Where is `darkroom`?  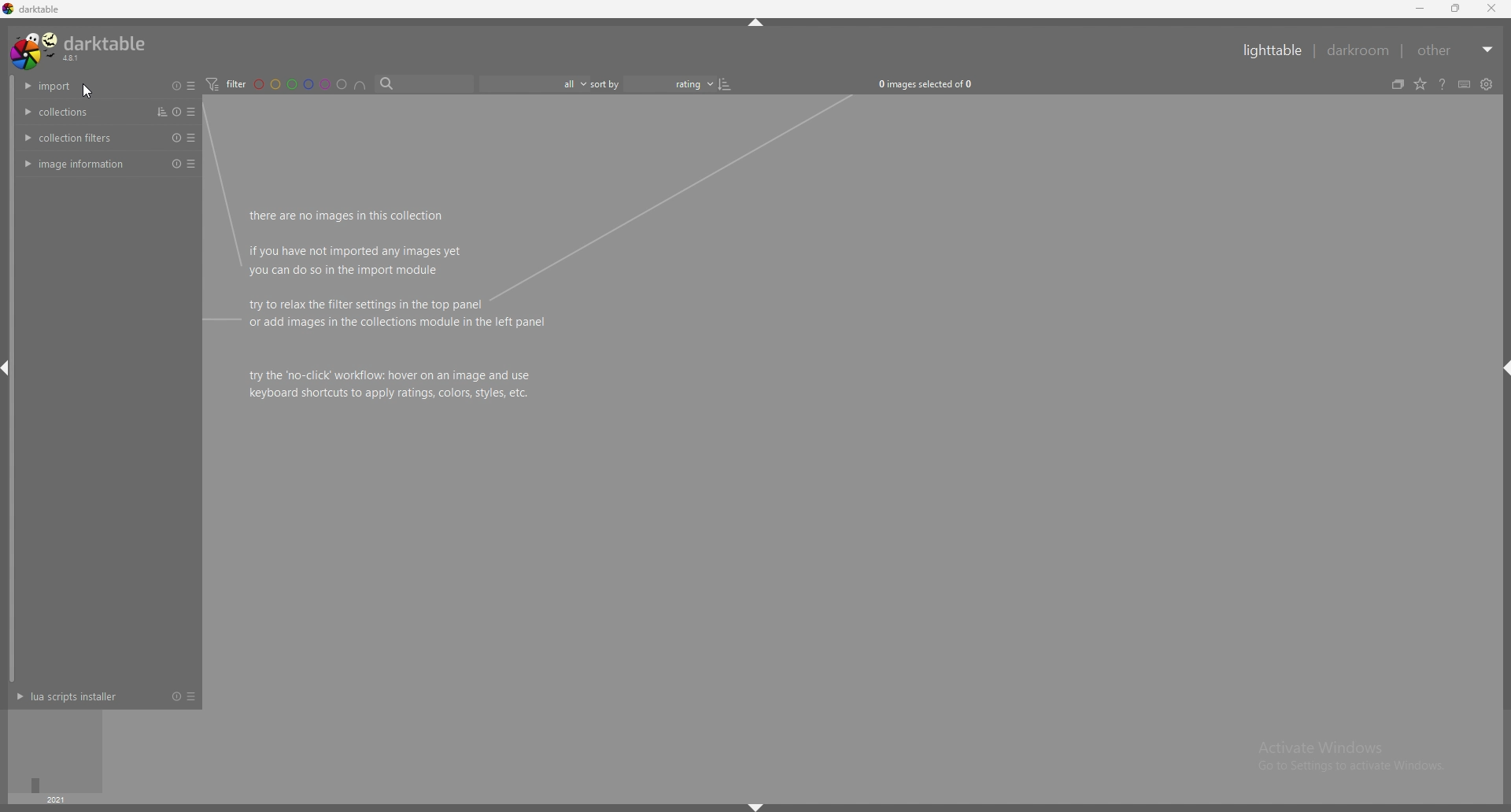
darkroom is located at coordinates (1359, 50).